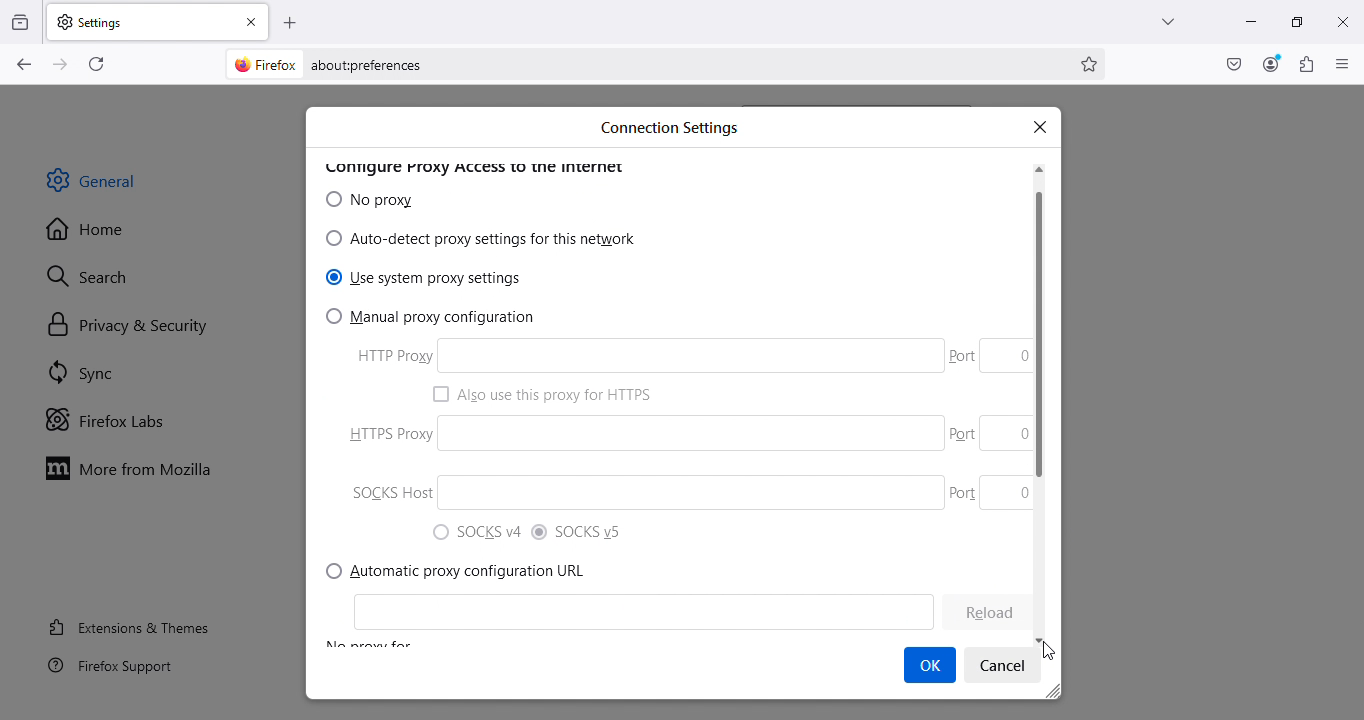 The height and width of the screenshot is (720, 1364). What do you see at coordinates (99, 273) in the screenshot?
I see `Search` at bounding box center [99, 273].